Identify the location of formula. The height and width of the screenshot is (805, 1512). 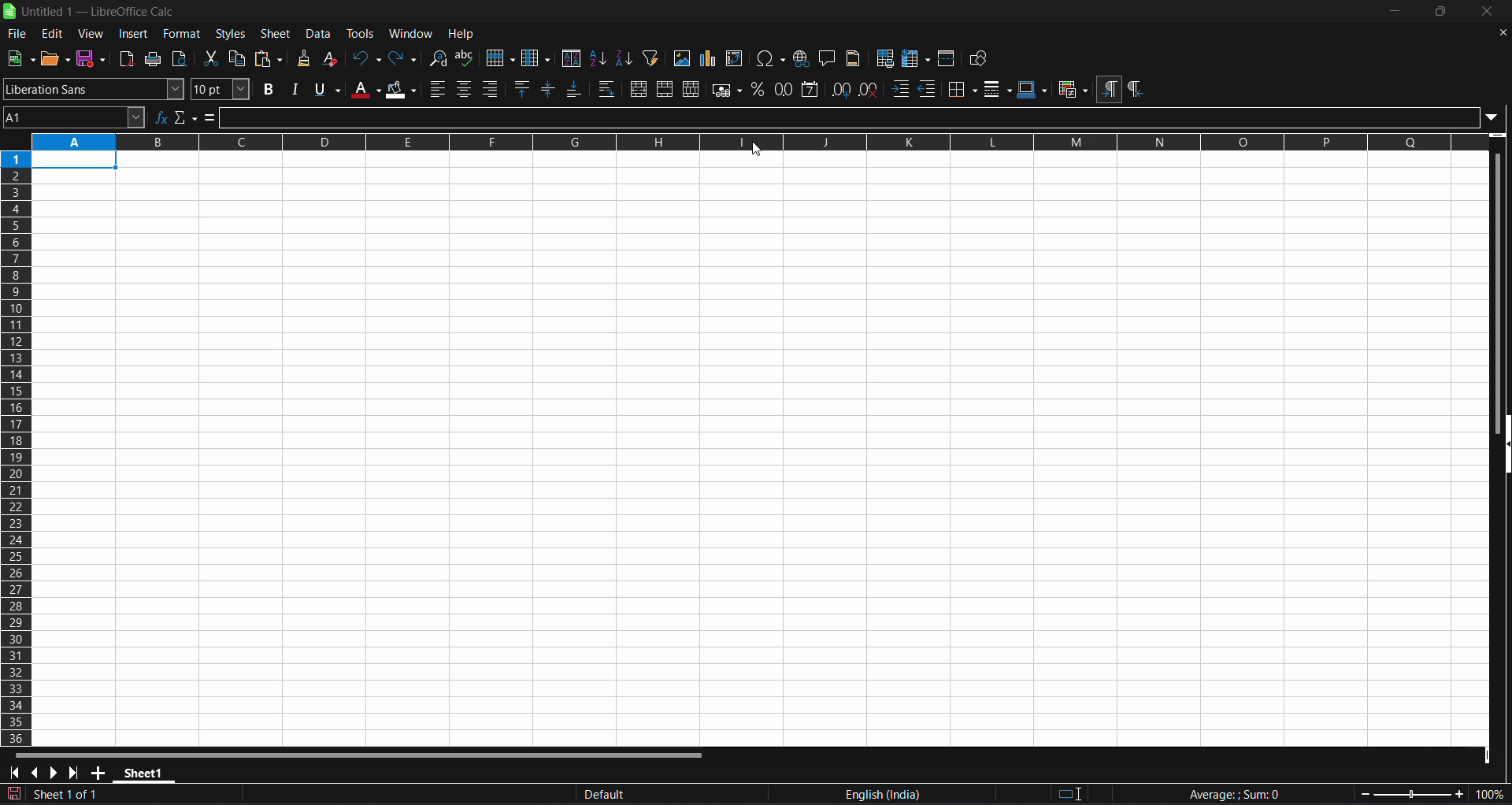
(1252, 803).